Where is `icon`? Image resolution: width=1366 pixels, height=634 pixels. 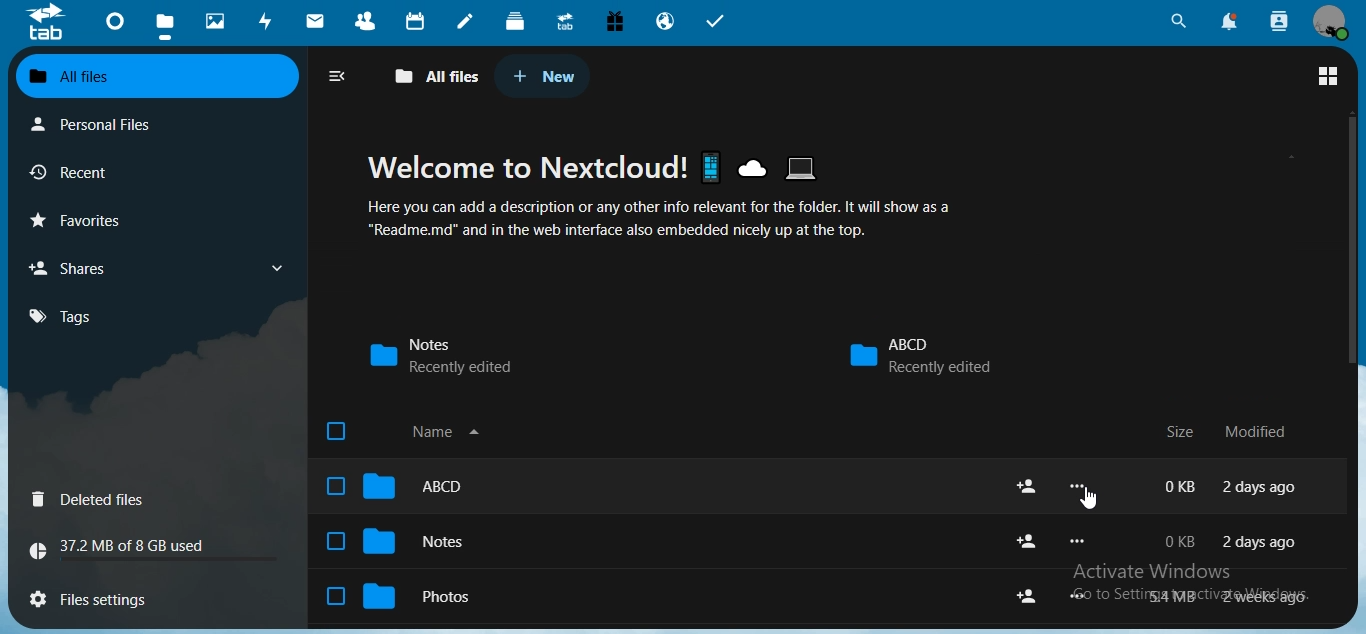 icon is located at coordinates (47, 23).